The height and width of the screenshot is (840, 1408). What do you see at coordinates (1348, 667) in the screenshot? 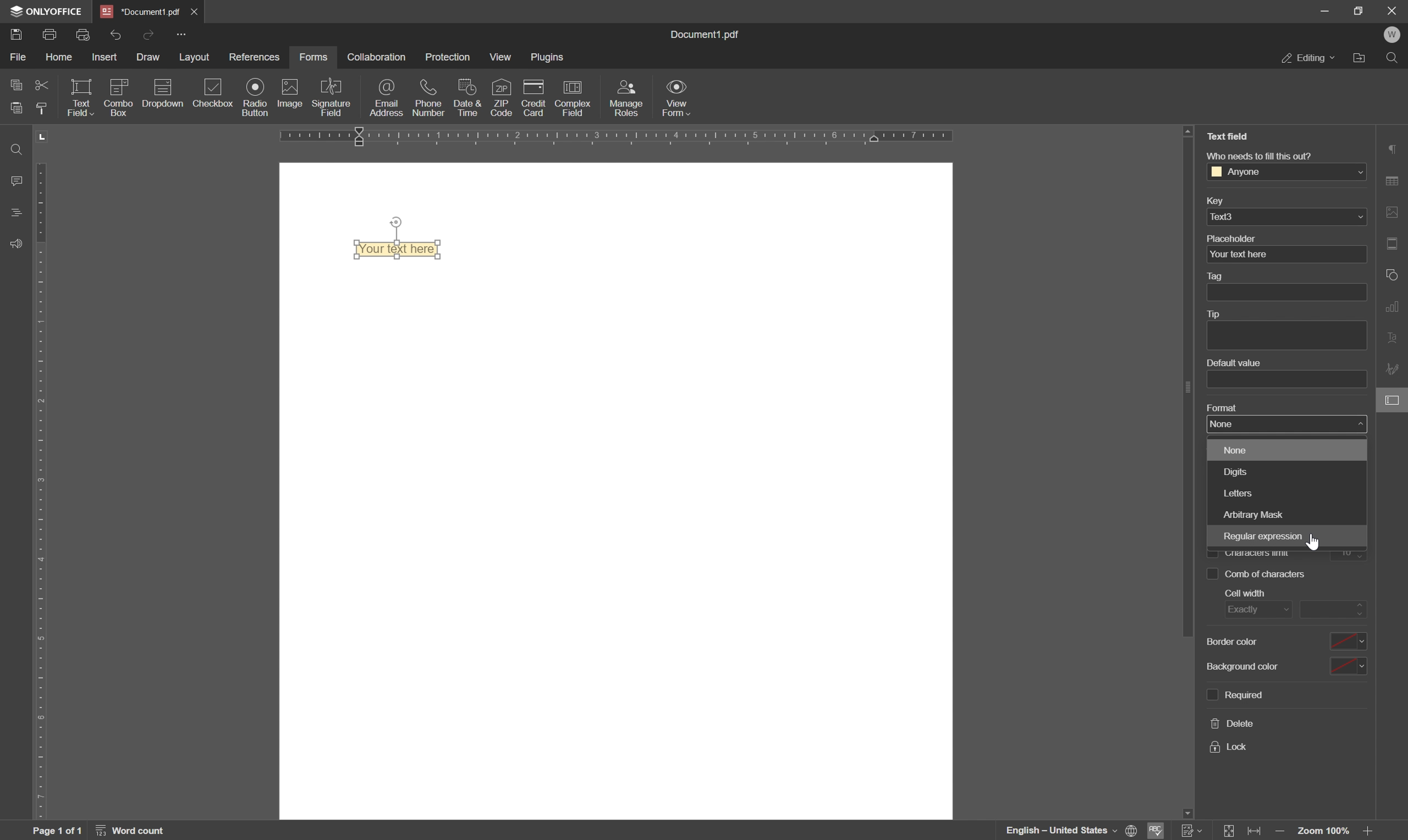
I see `select background color` at bounding box center [1348, 667].